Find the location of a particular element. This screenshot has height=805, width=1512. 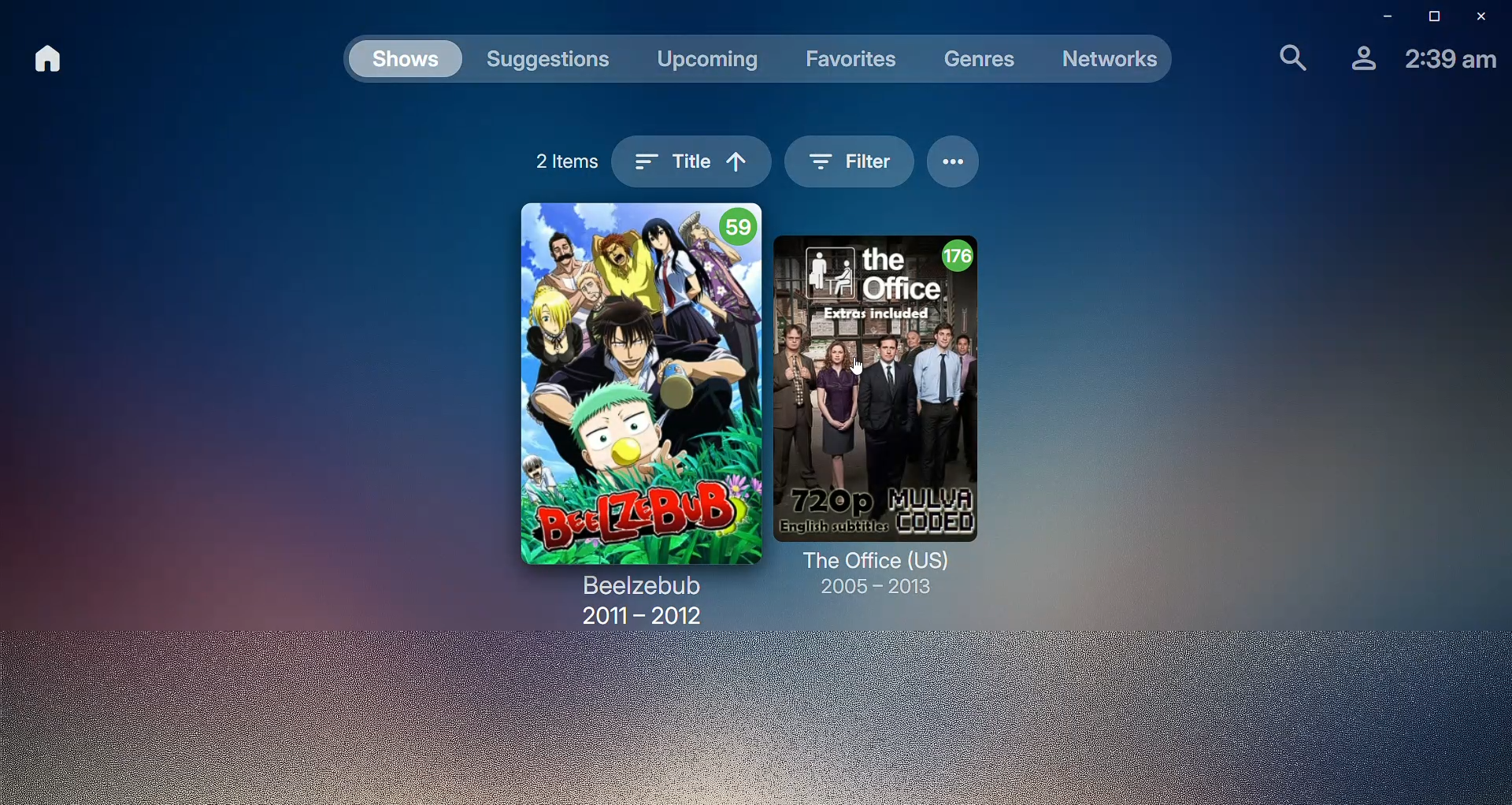

Sort by is located at coordinates (692, 165).